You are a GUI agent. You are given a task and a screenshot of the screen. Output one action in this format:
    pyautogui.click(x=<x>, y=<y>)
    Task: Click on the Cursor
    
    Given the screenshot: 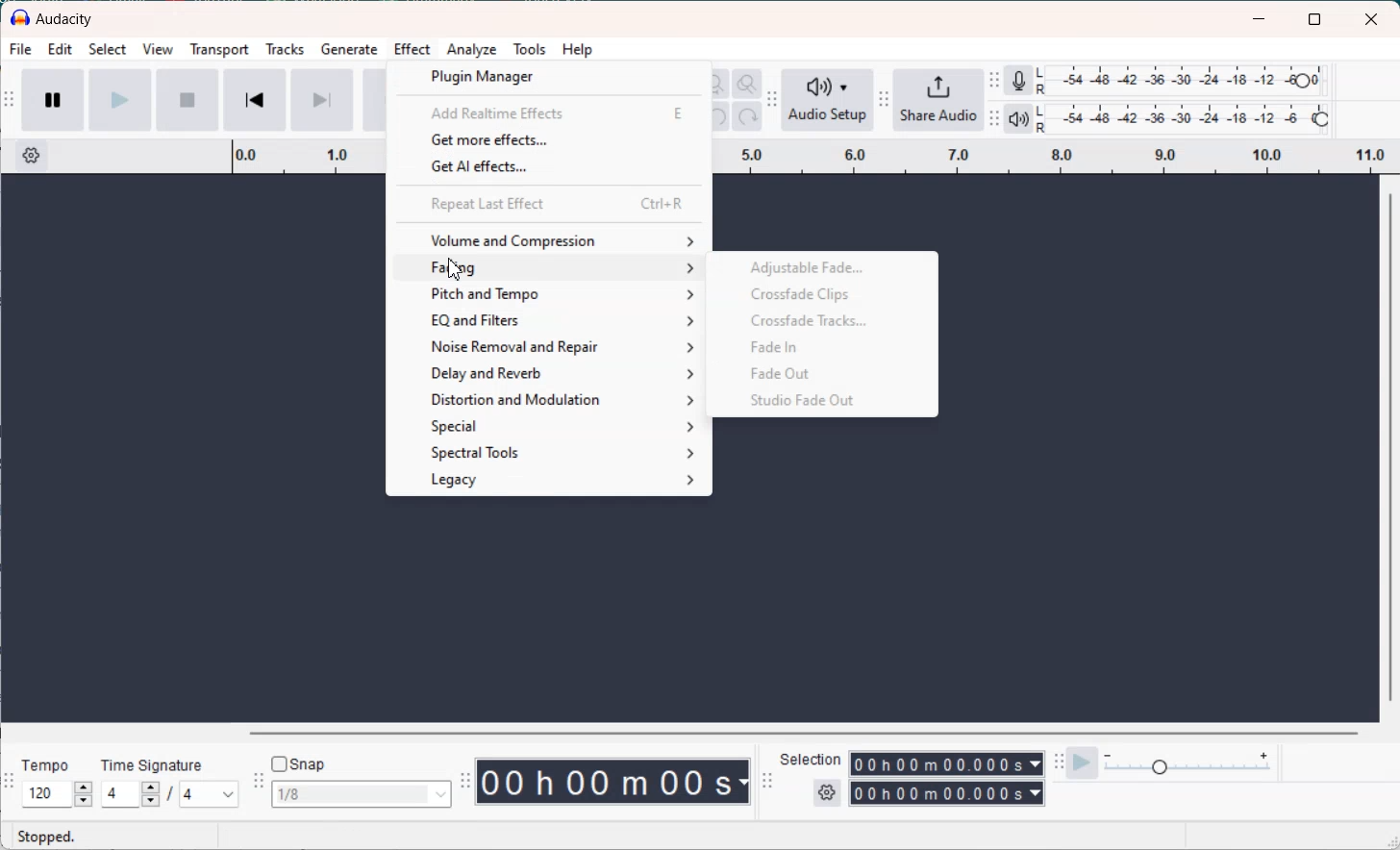 What is the action you would take?
    pyautogui.click(x=456, y=269)
    